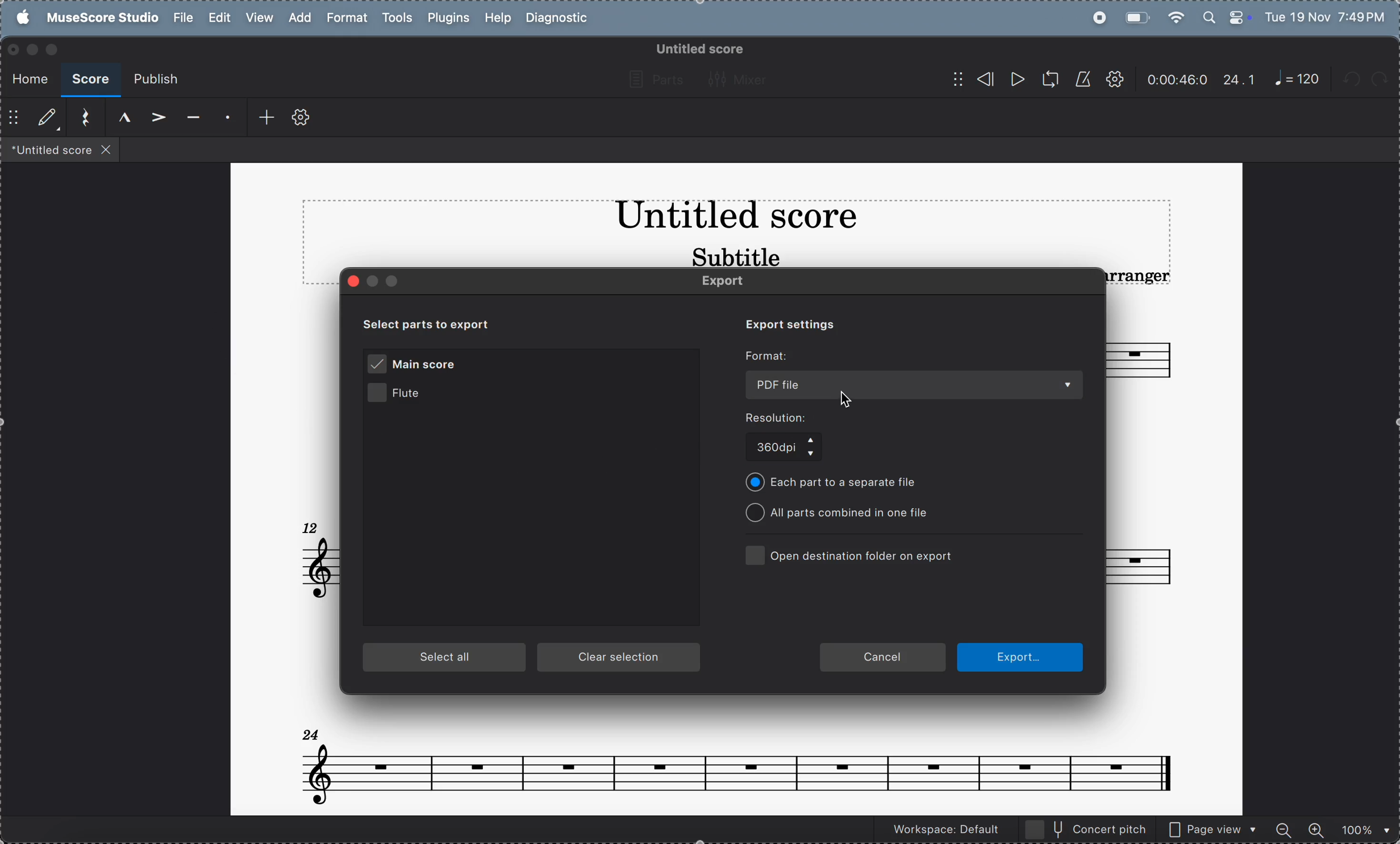 This screenshot has height=844, width=1400. Describe the element at coordinates (787, 449) in the screenshot. I see `360 dpi` at that location.